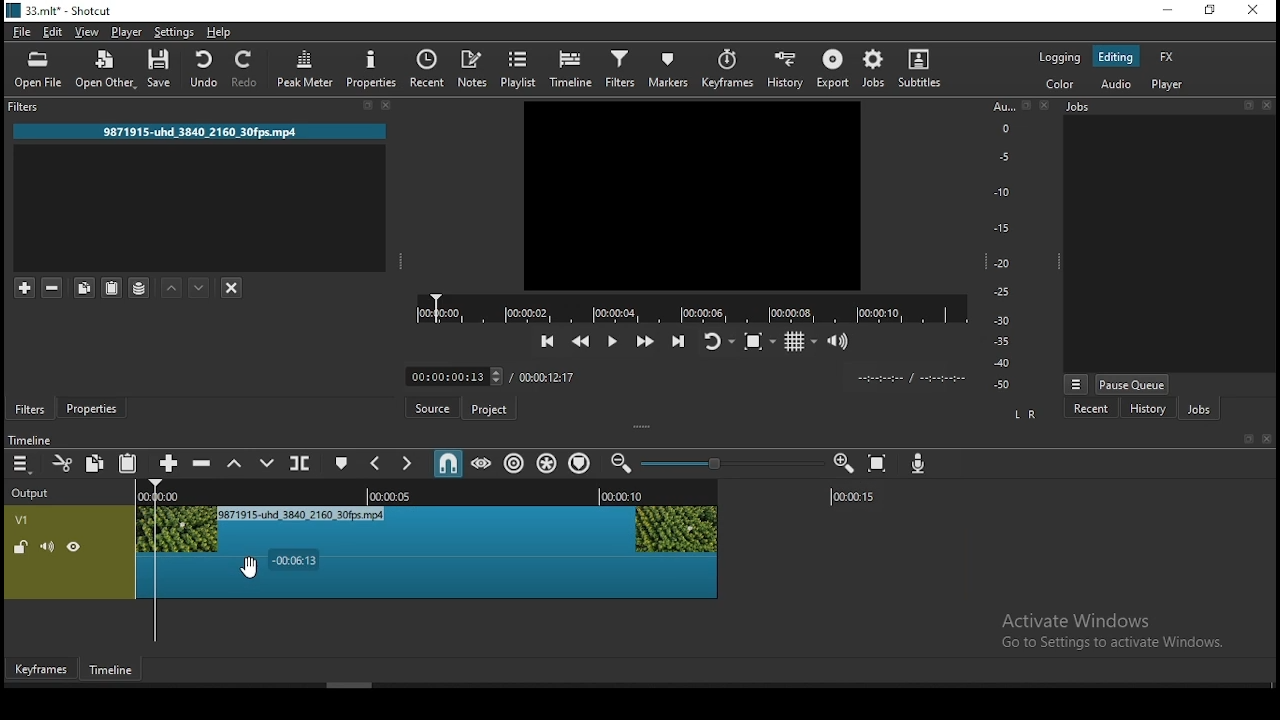  I want to click on bookmark, so click(1245, 106).